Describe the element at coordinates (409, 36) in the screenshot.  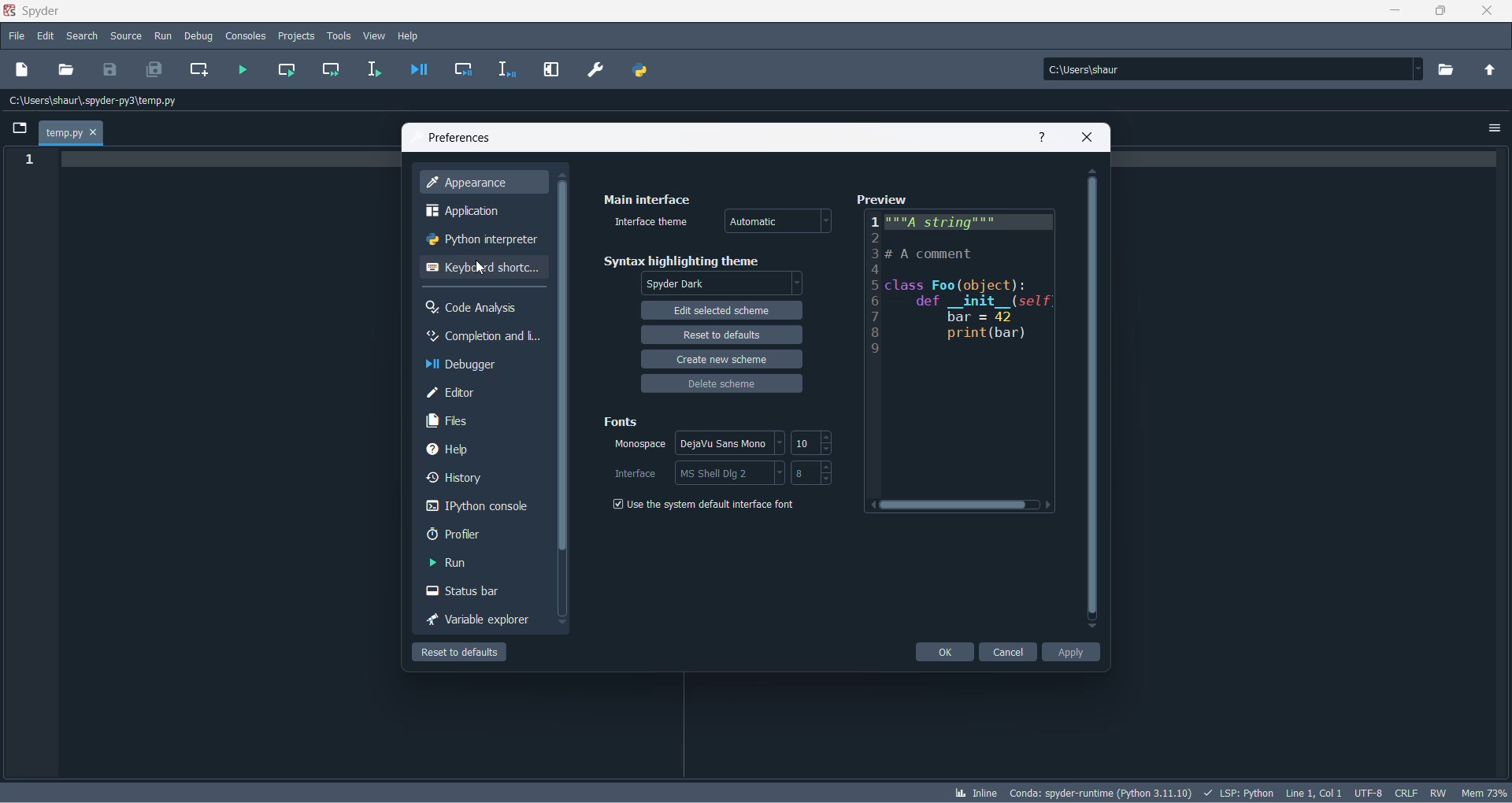
I see `help` at that location.